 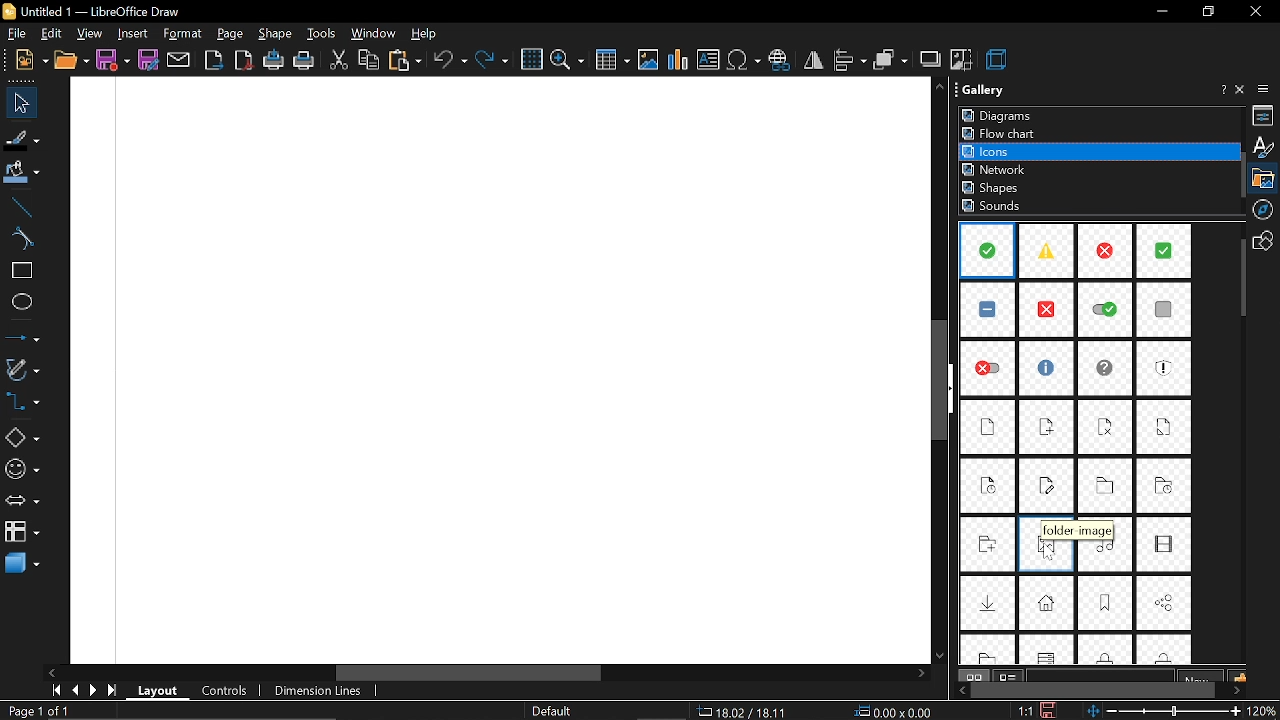 I want to click on ellipse, so click(x=18, y=304).